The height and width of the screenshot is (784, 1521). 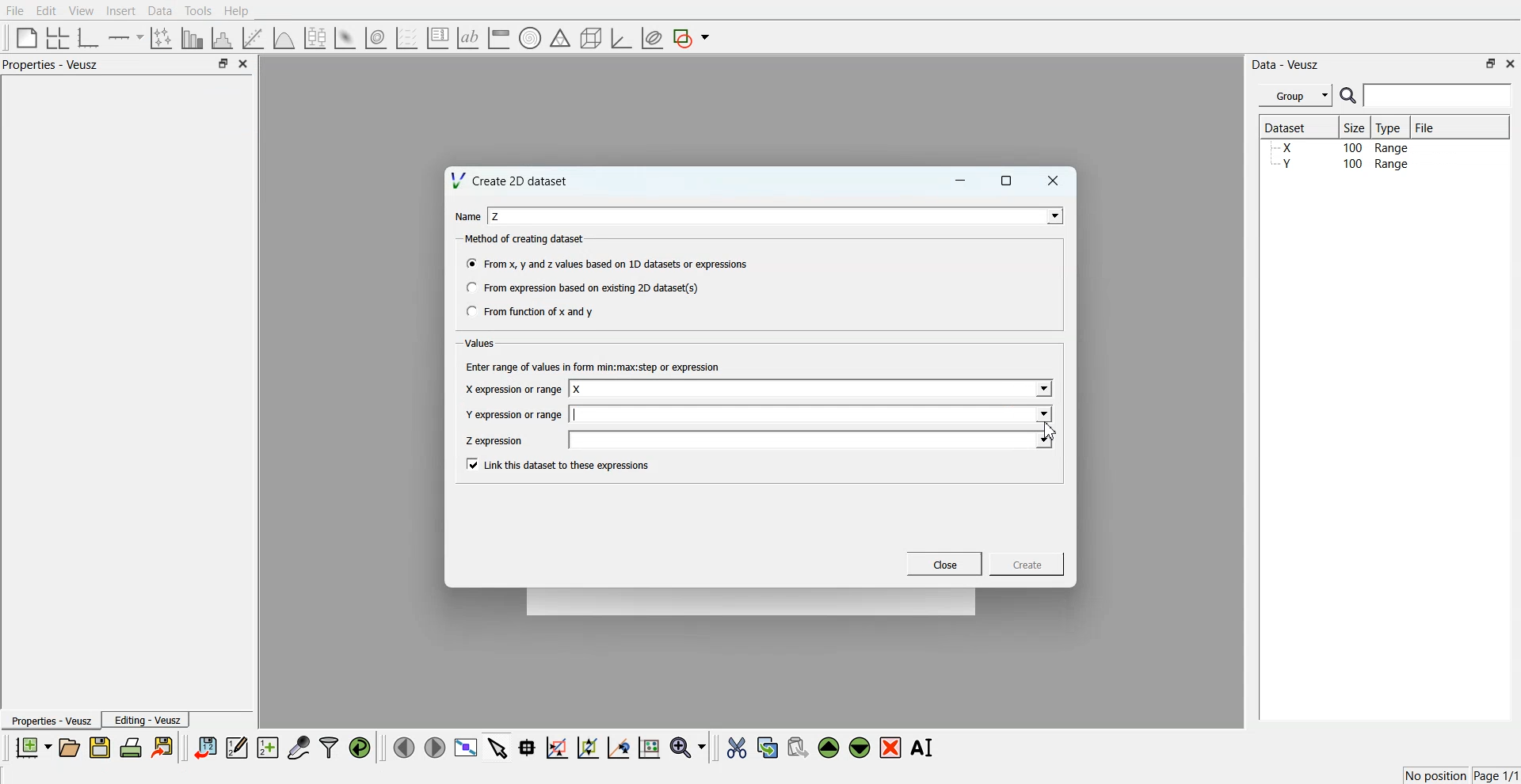 I want to click on Search Bar, so click(x=1427, y=95).